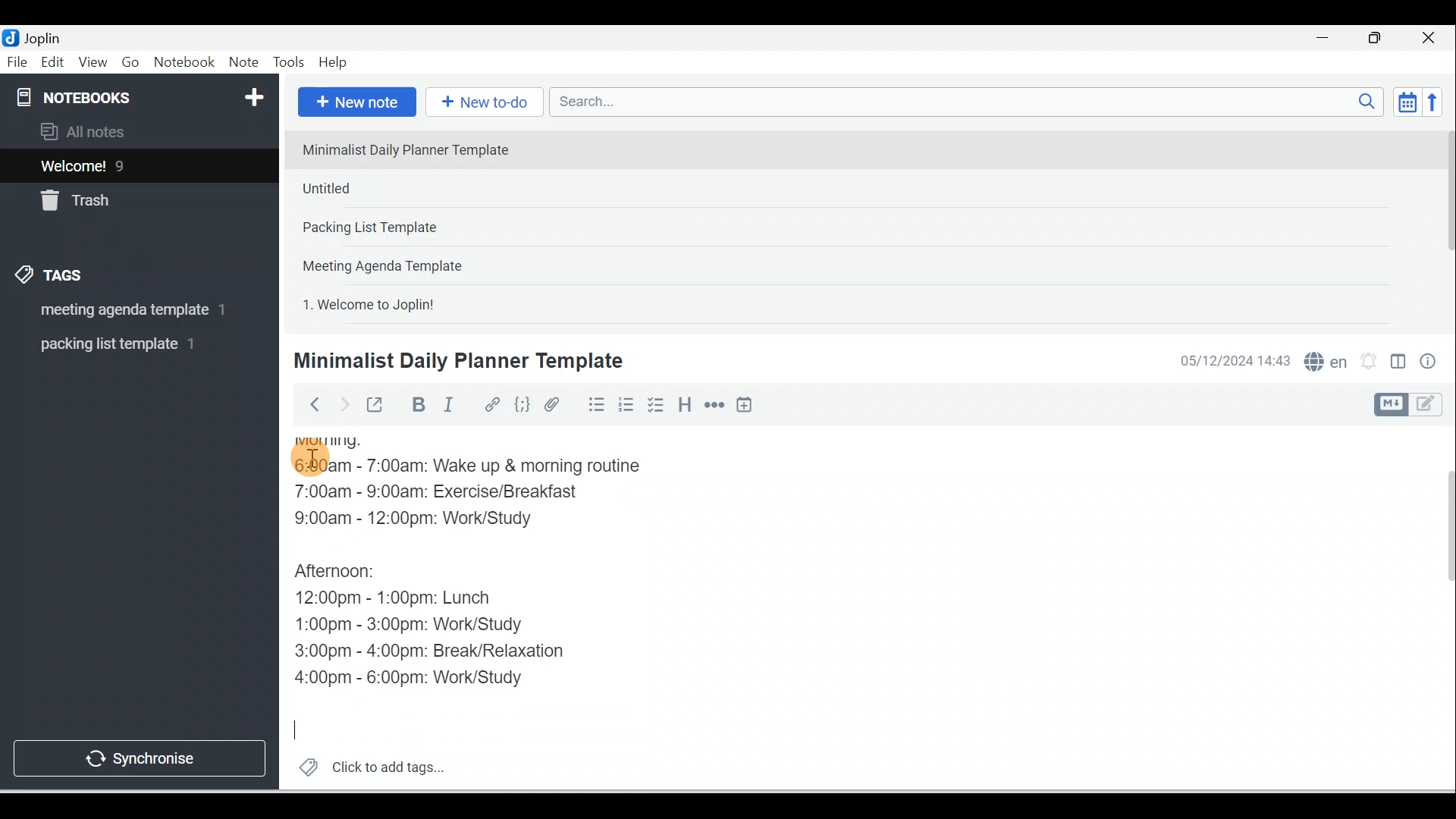  Describe the element at coordinates (416, 405) in the screenshot. I see `Bold` at that location.